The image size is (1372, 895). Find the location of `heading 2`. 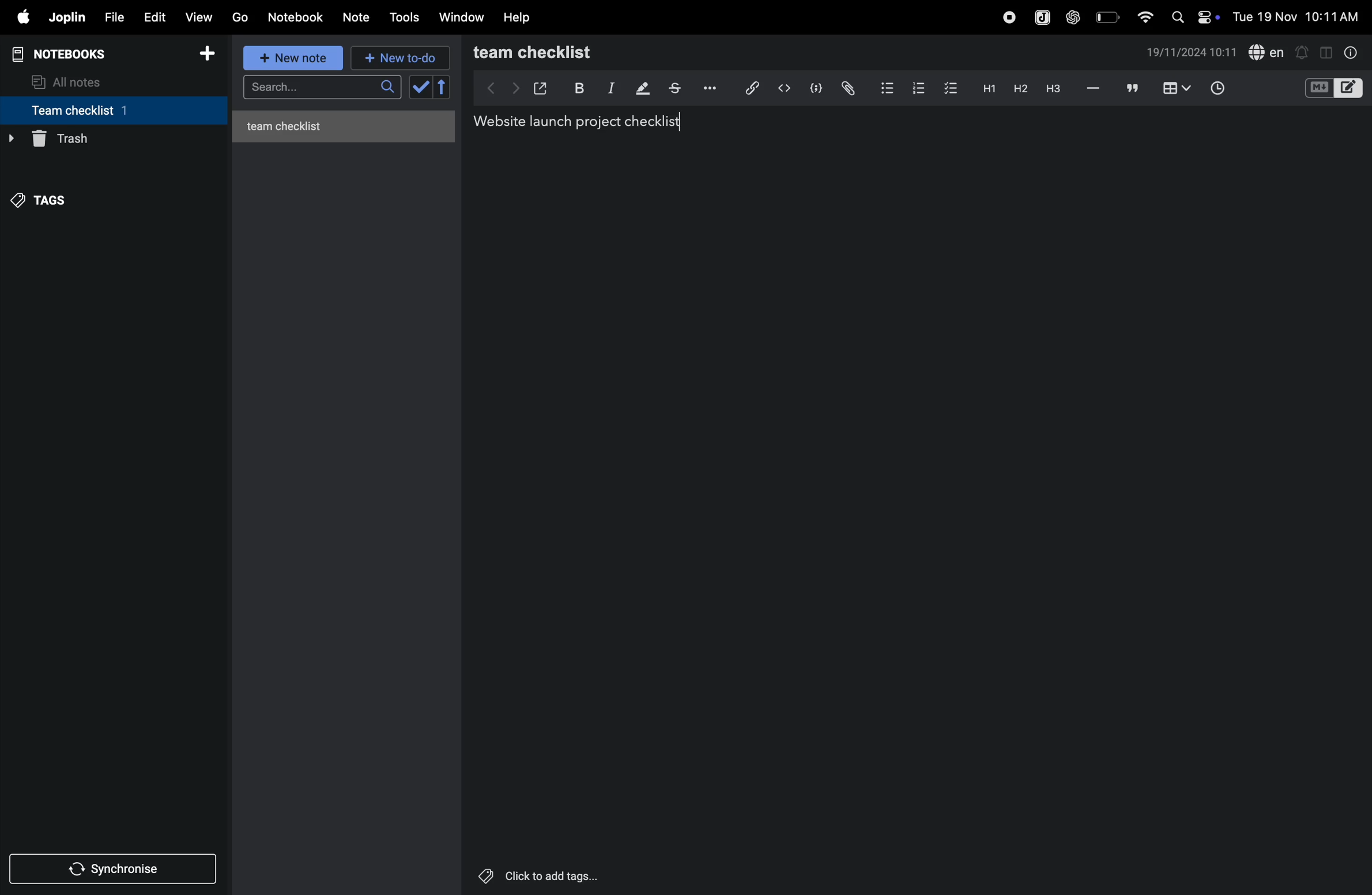

heading 2 is located at coordinates (1017, 88).